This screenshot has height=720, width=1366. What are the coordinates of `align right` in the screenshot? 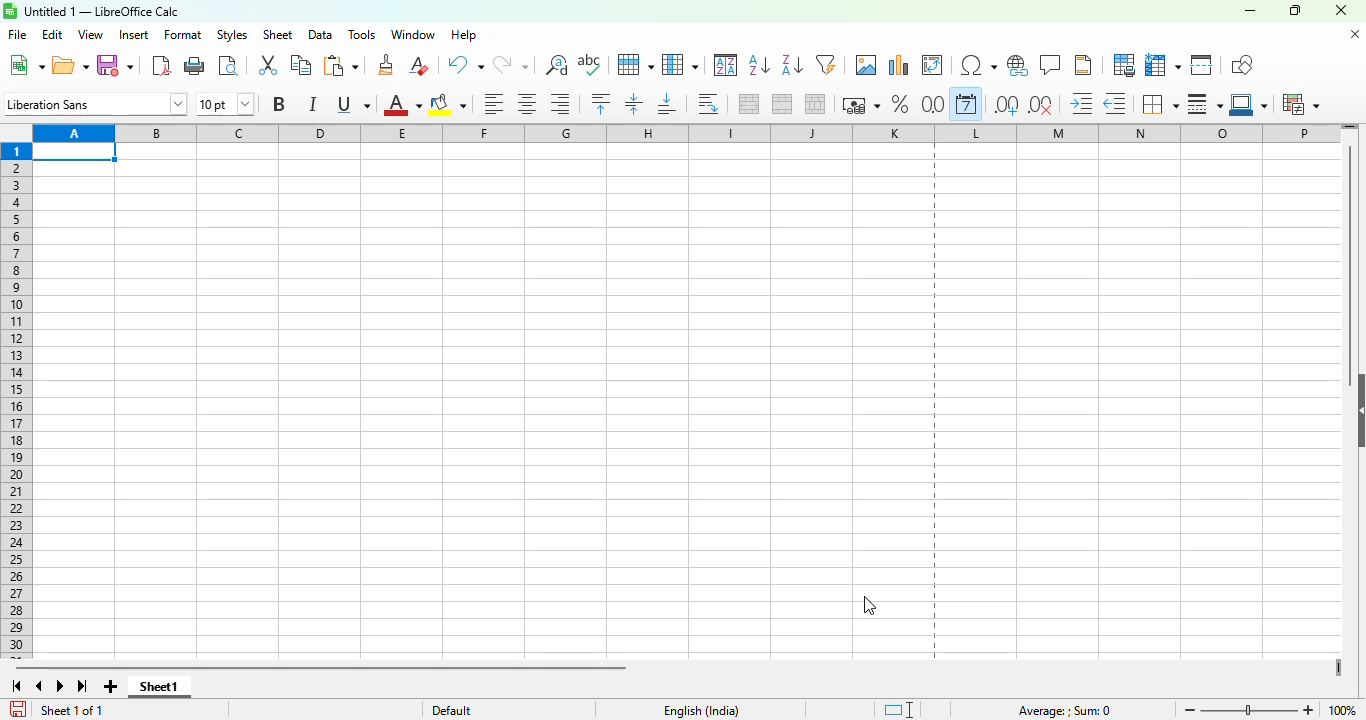 It's located at (560, 104).